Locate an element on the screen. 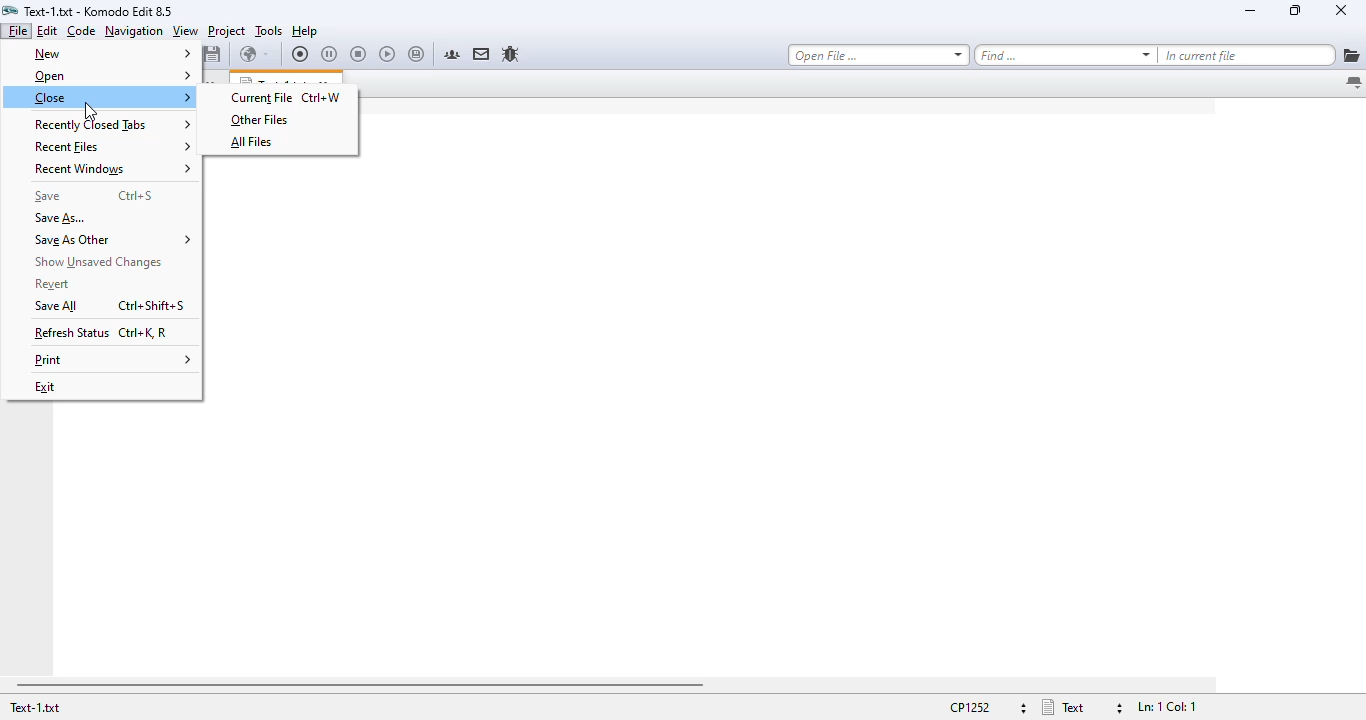  maximize is located at coordinates (1294, 9).